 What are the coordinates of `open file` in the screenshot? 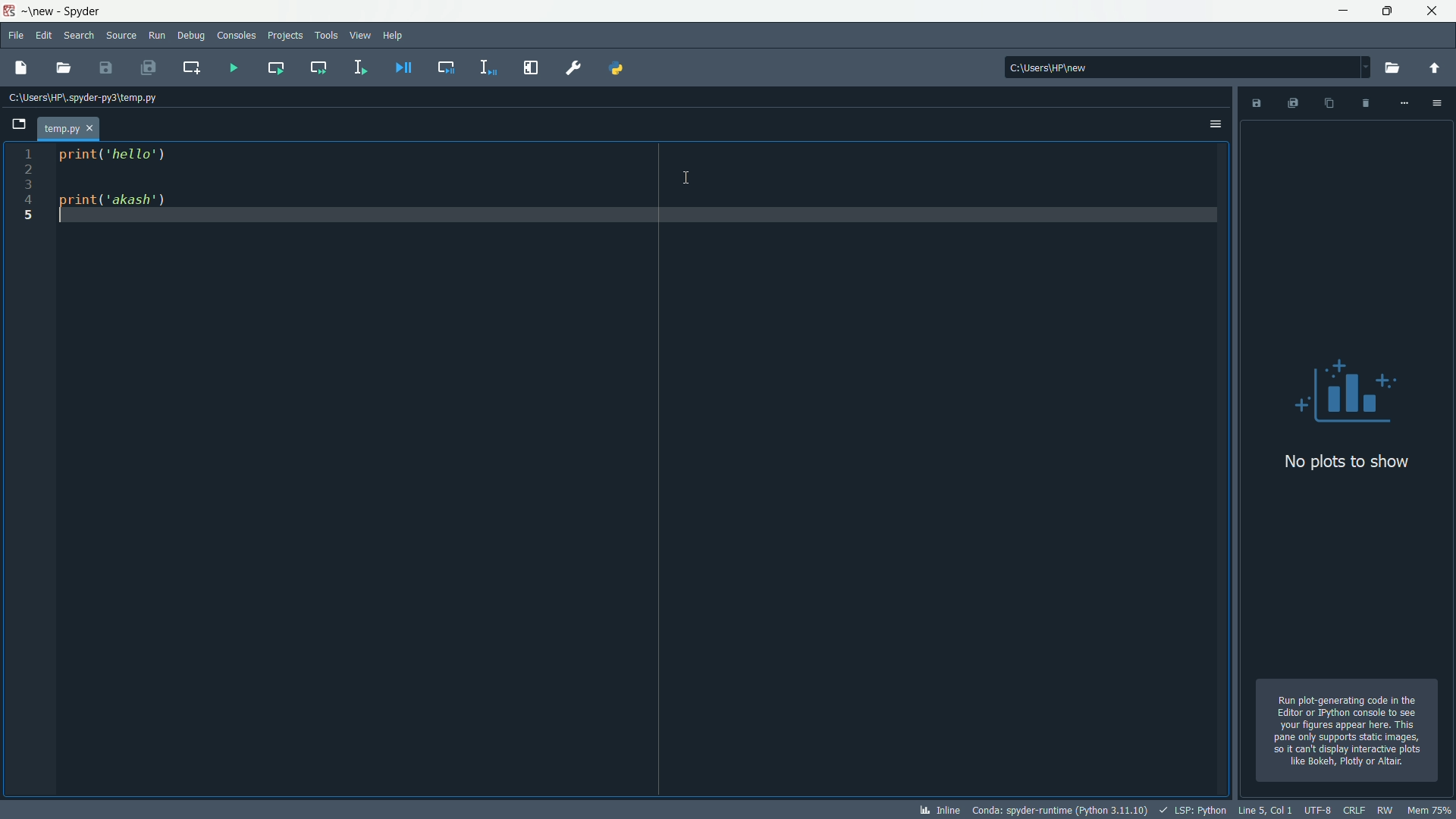 It's located at (65, 69).